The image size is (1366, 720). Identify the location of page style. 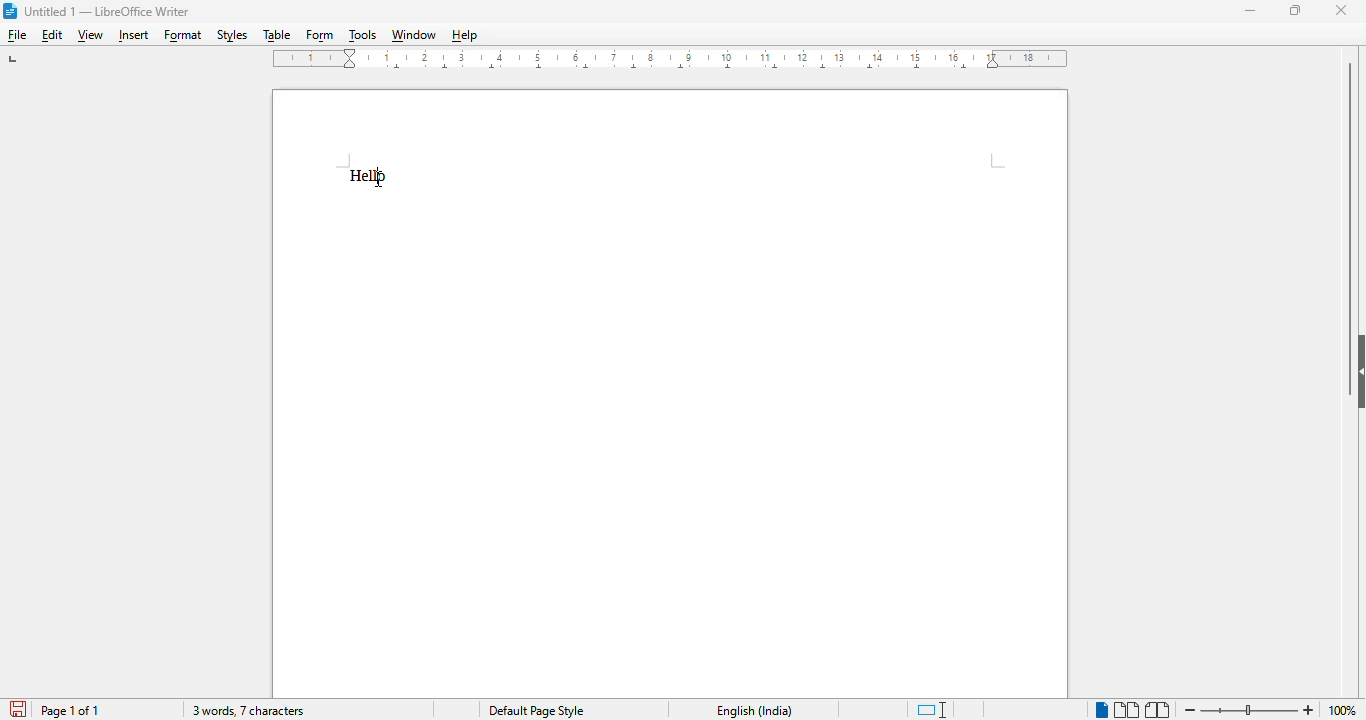
(536, 711).